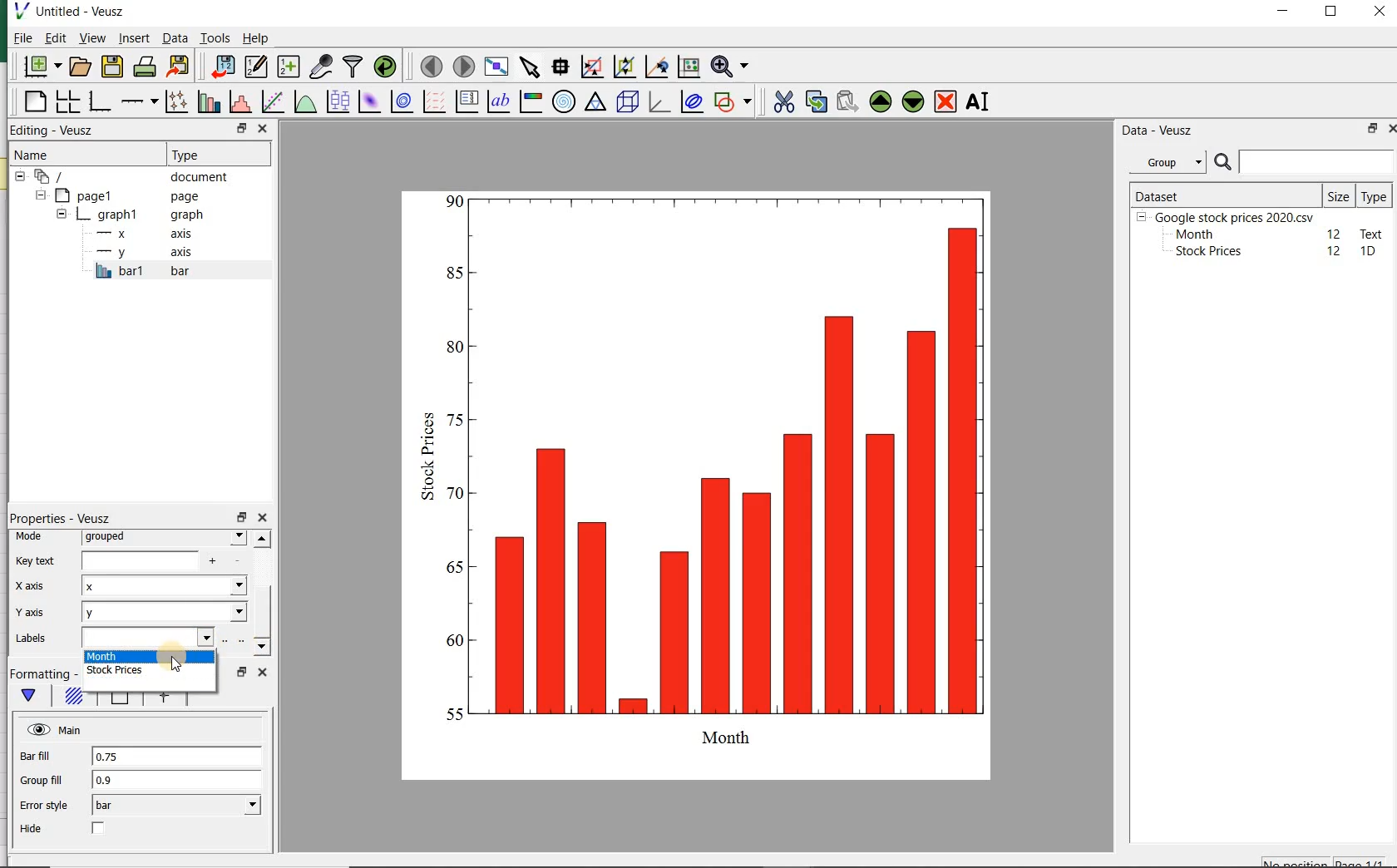 The image size is (1397, 868). What do you see at coordinates (304, 103) in the screenshot?
I see `plot a function` at bounding box center [304, 103].